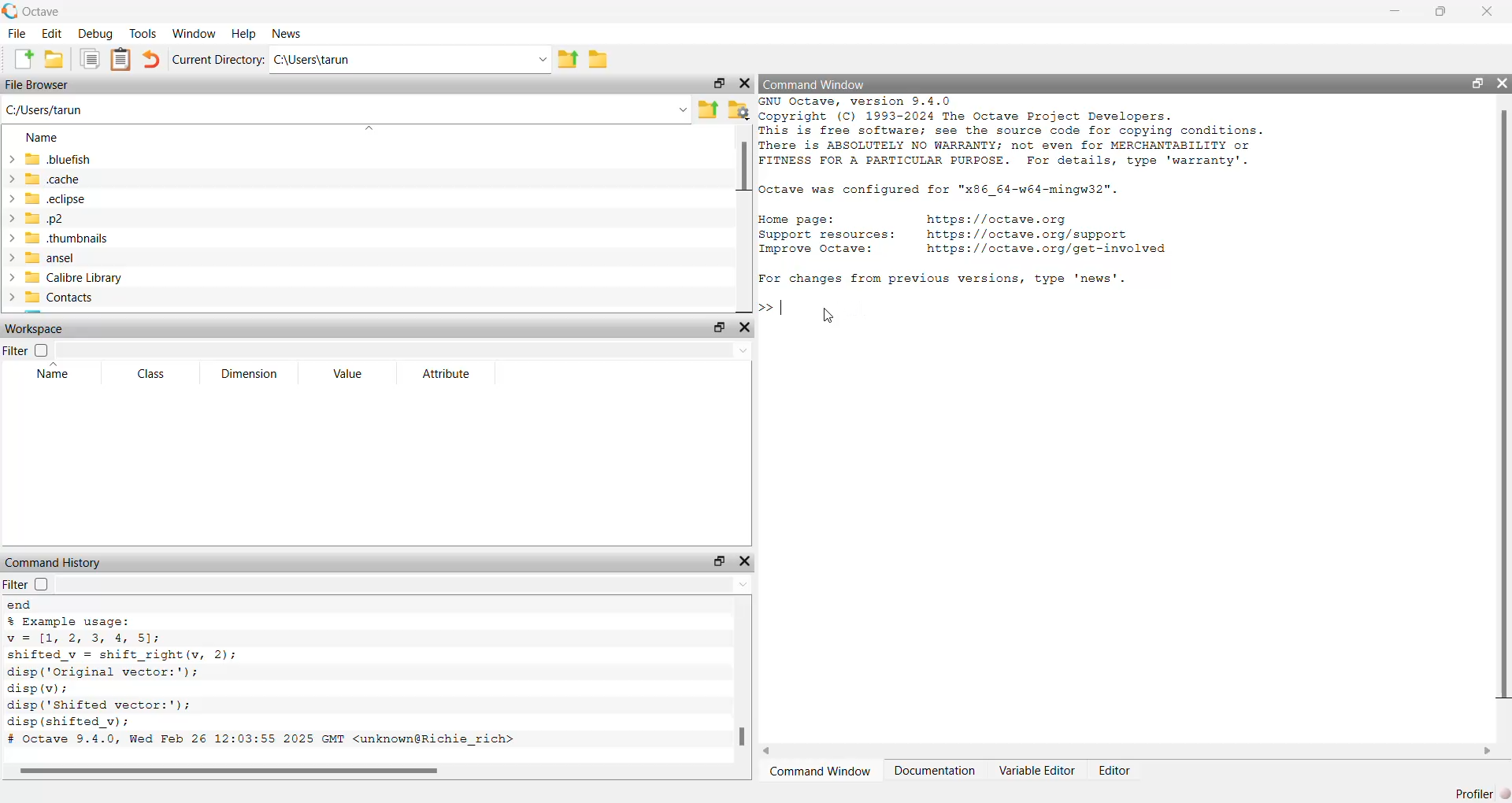 The width and height of the screenshot is (1512, 803). I want to click on paste, so click(118, 61).